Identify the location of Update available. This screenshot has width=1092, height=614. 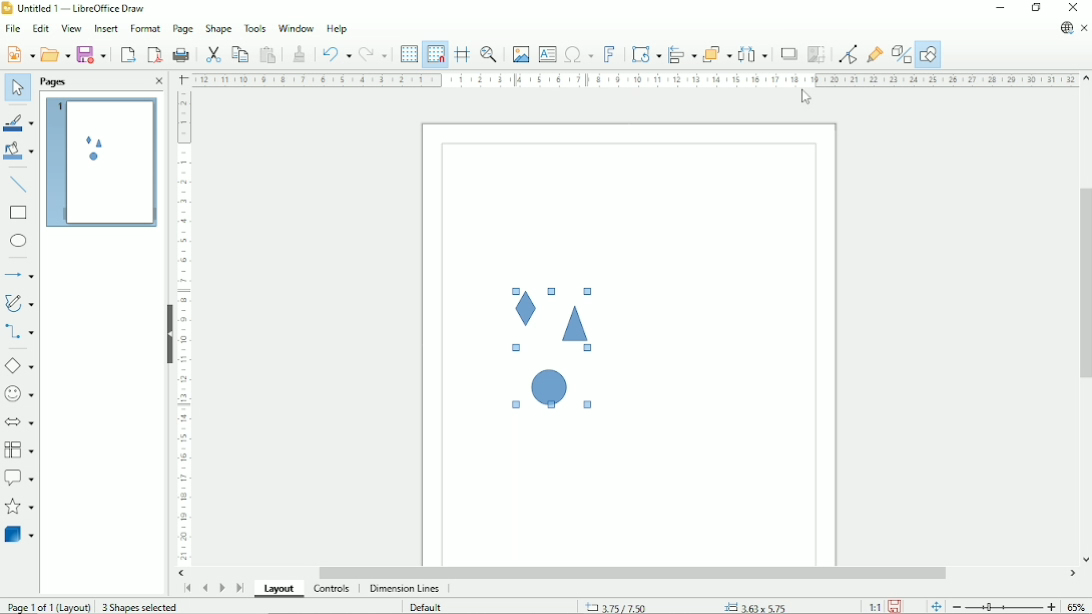
(1066, 28).